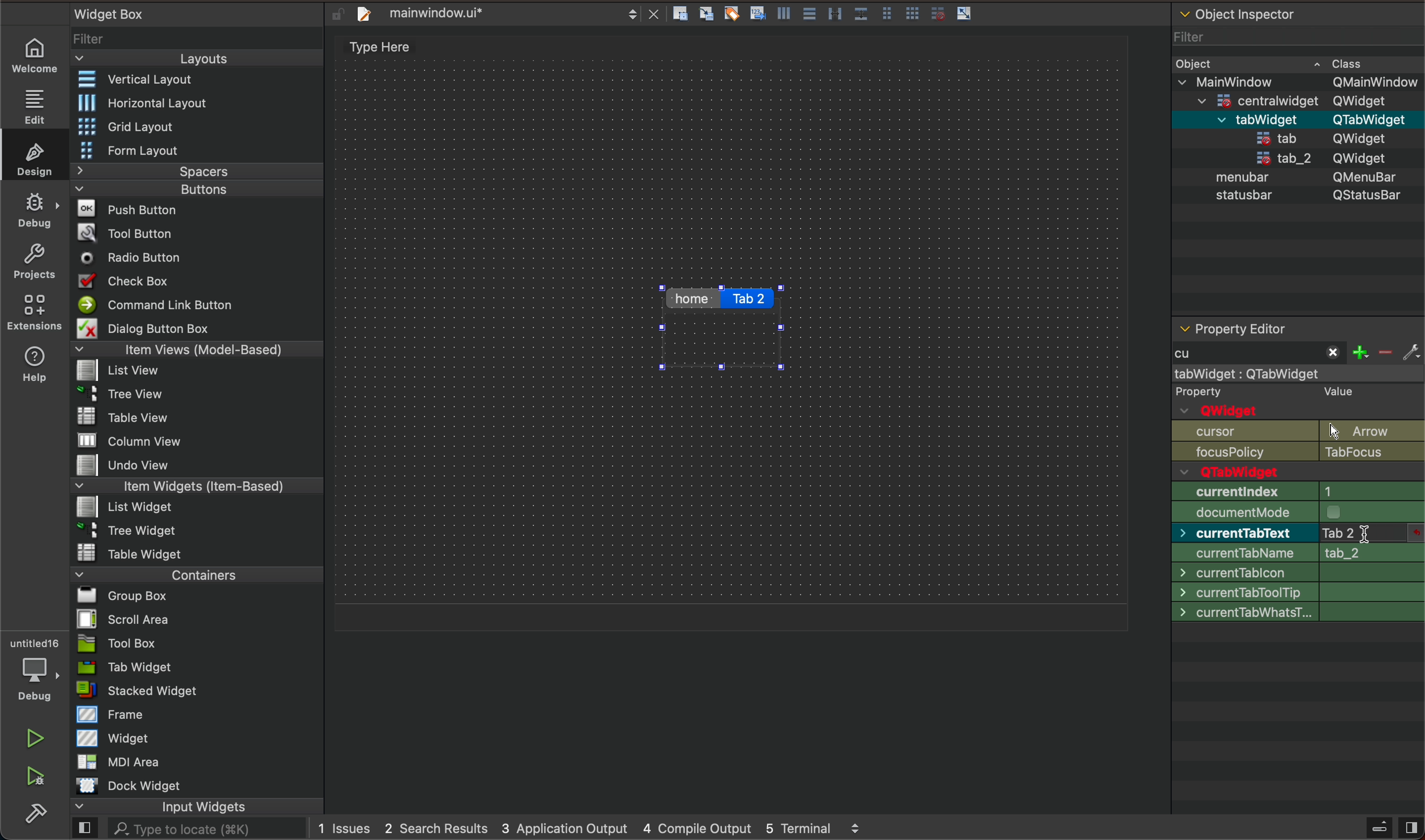  Describe the element at coordinates (1299, 511) in the screenshot. I see `size policy` at that location.